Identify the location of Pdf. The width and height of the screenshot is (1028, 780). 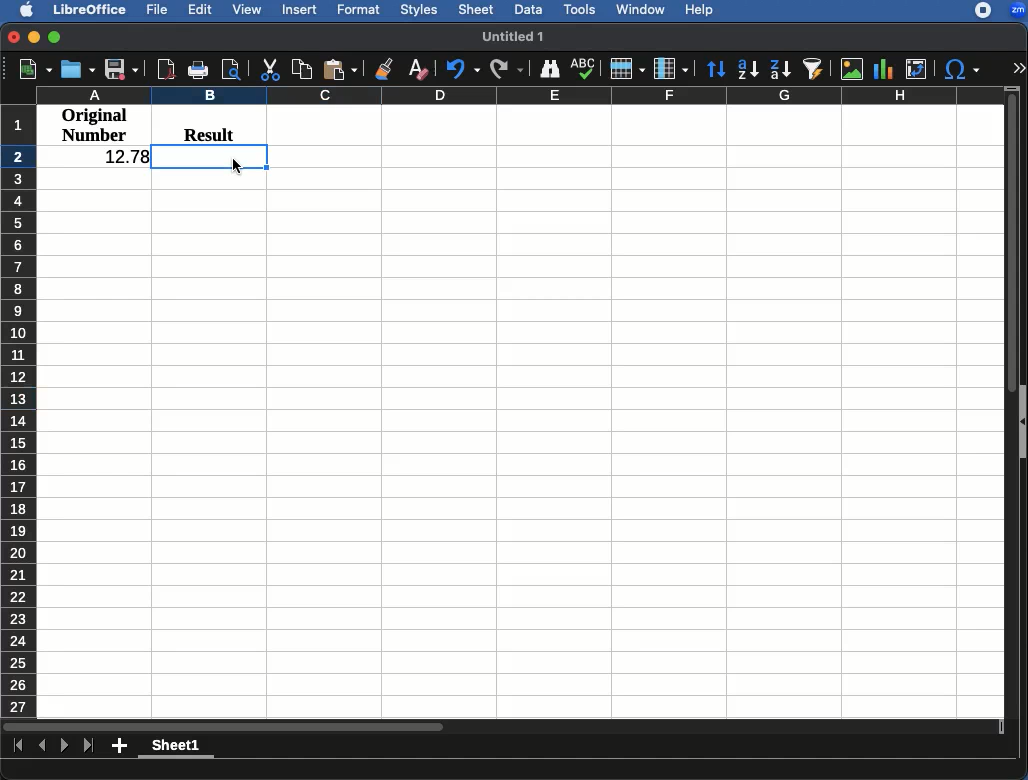
(165, 68).